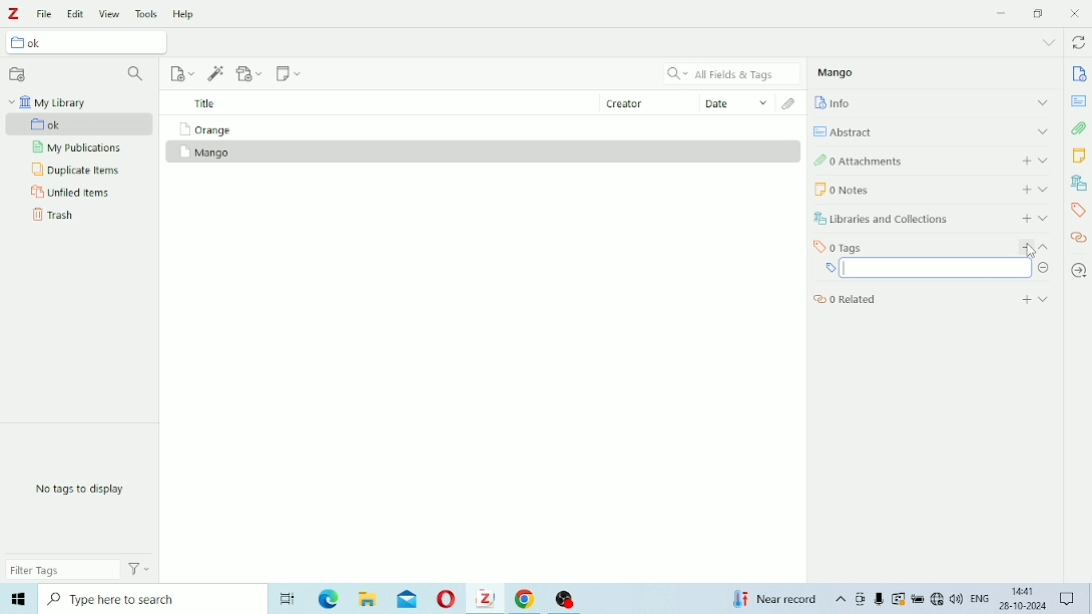 The width and height of the screenshot is (1092, 614). Describe the element at coordinates (933, 101) in the screenshot. I see `Info` at that location.